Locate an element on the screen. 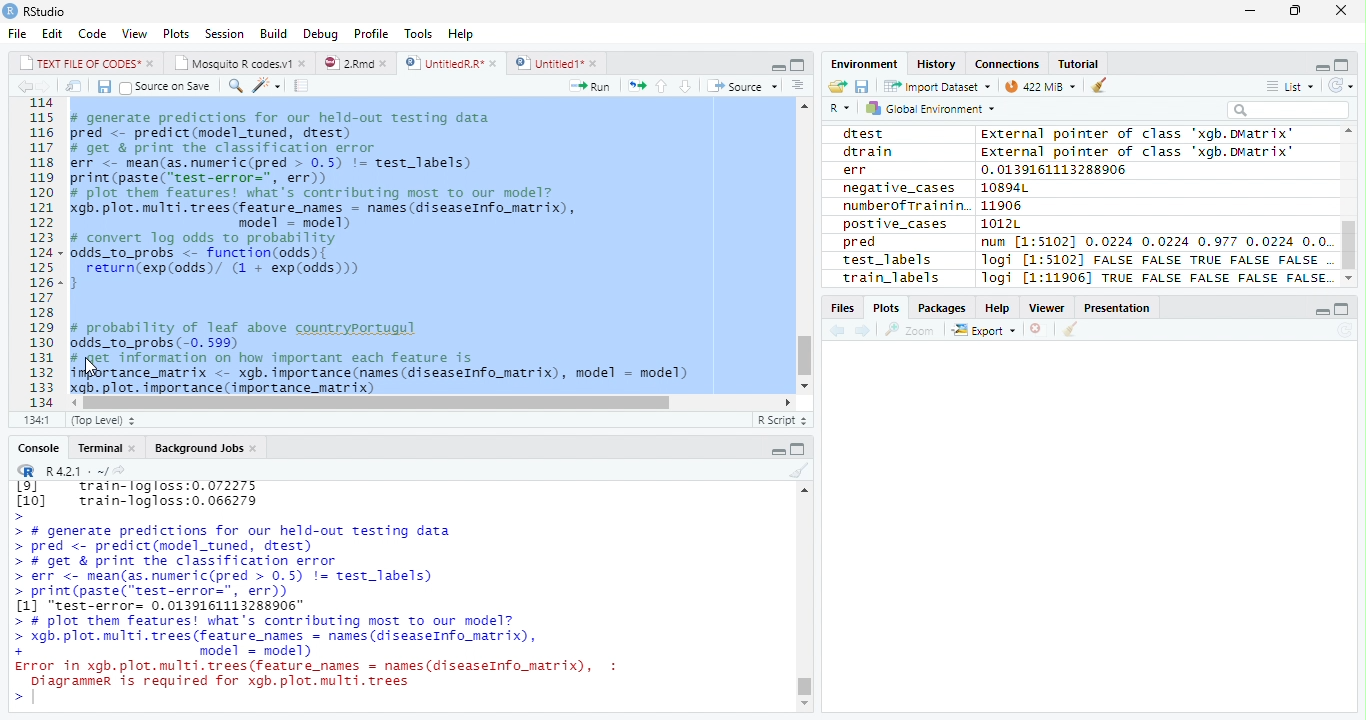  test_labels is located at coordinates (886, 260).